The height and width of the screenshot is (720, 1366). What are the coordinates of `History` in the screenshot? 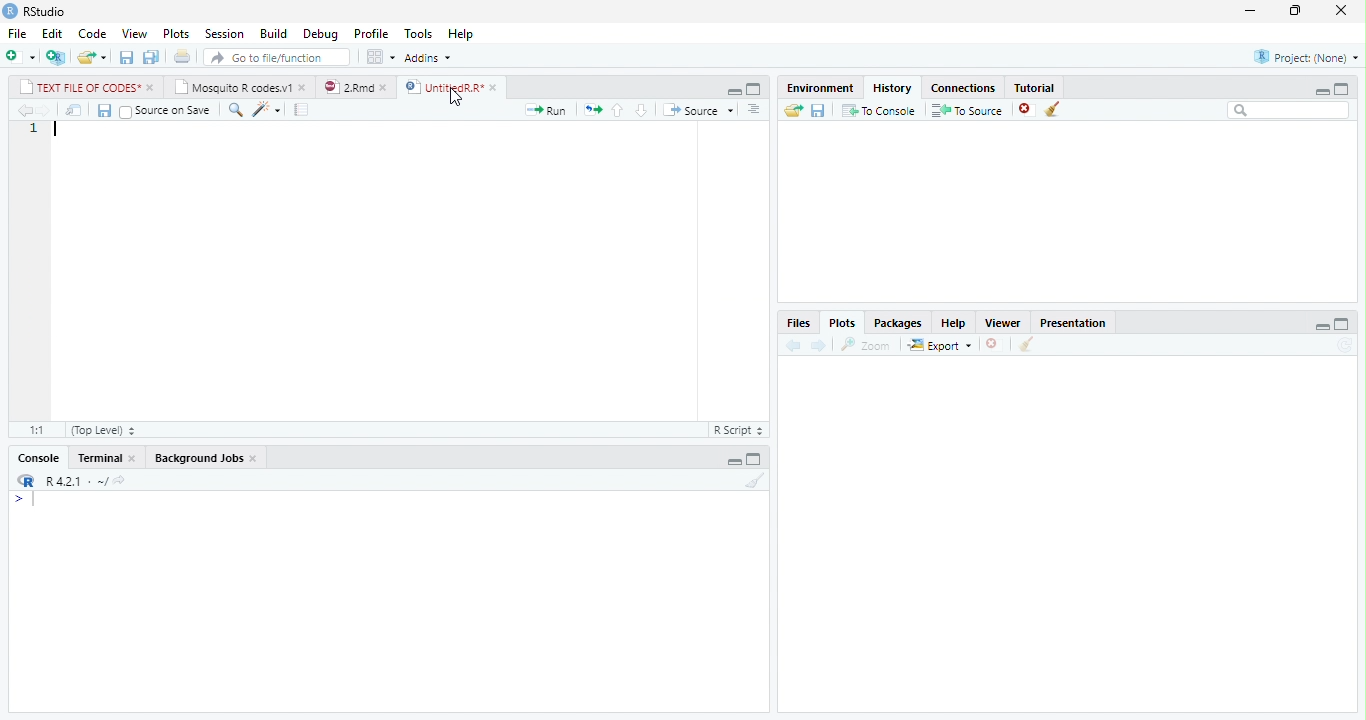 It's located at (892, 87).